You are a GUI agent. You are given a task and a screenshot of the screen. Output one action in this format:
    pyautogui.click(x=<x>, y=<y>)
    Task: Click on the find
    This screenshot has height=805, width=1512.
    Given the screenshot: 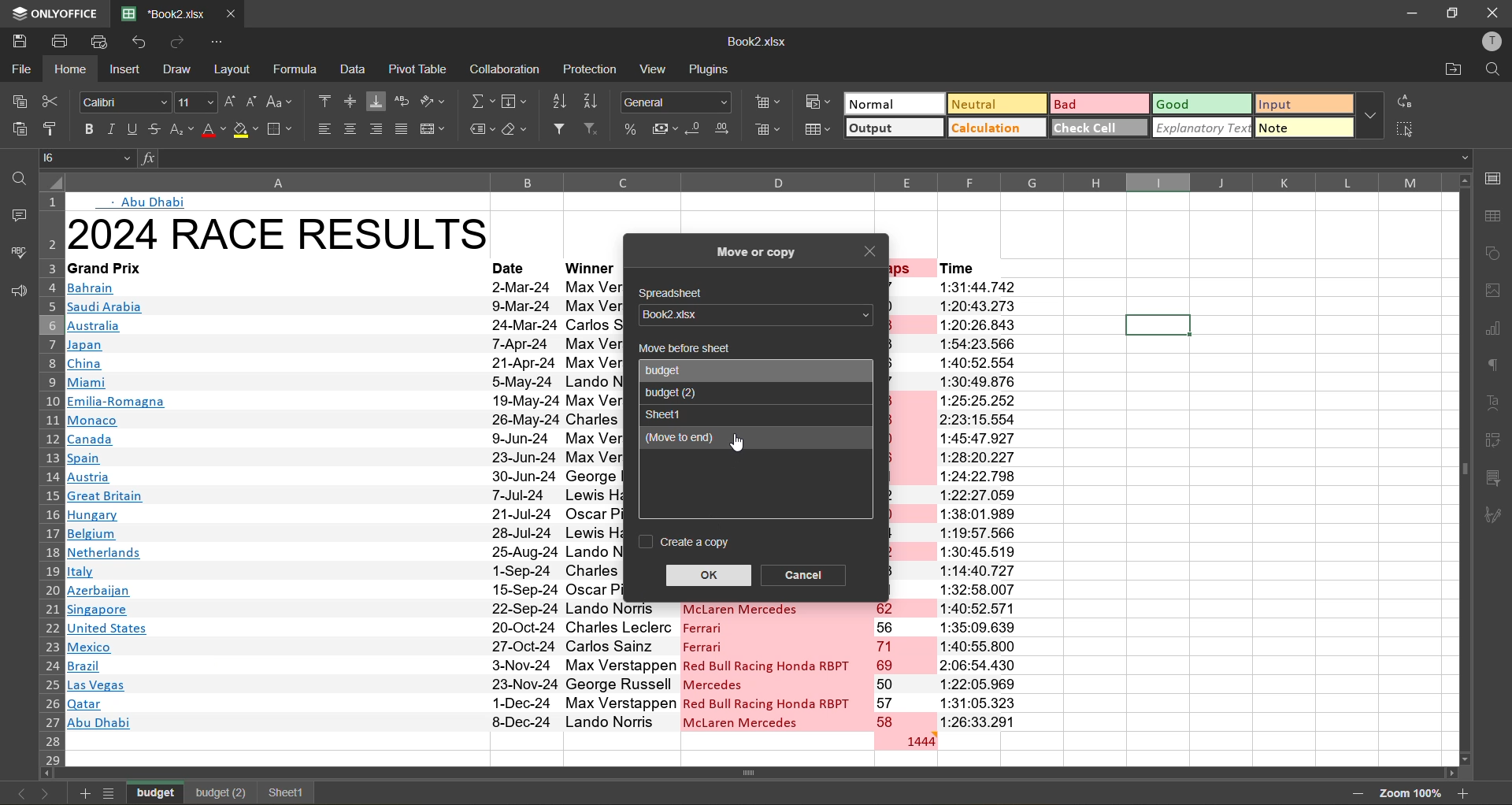 What is the action you would take?
    pyautogui.click(x=16, y=179)
    